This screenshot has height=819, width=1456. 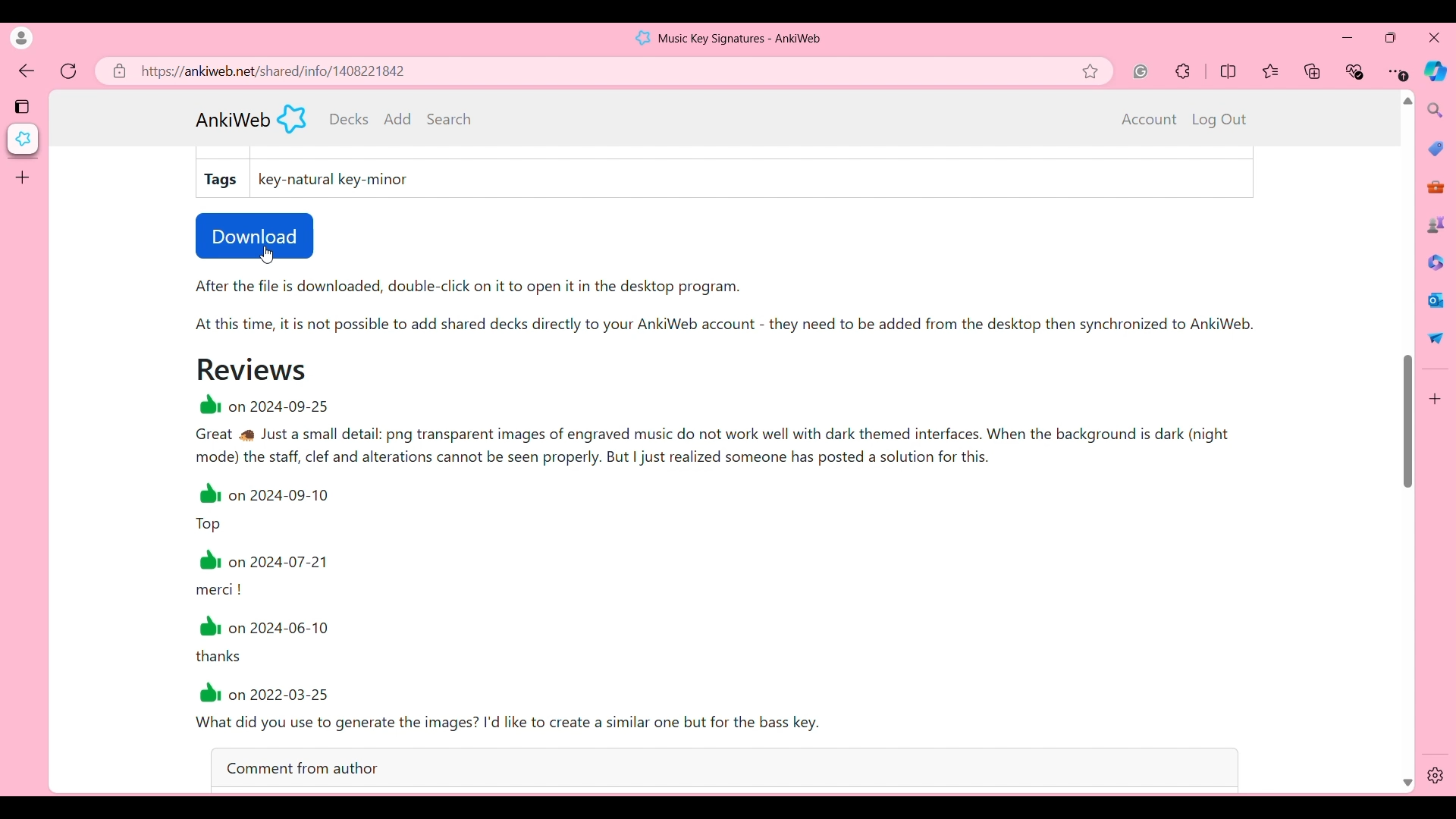 What do you see at coordinates (724, 767) in the screenshot?
I see `Comment from author` at bounding box center [724, 767].